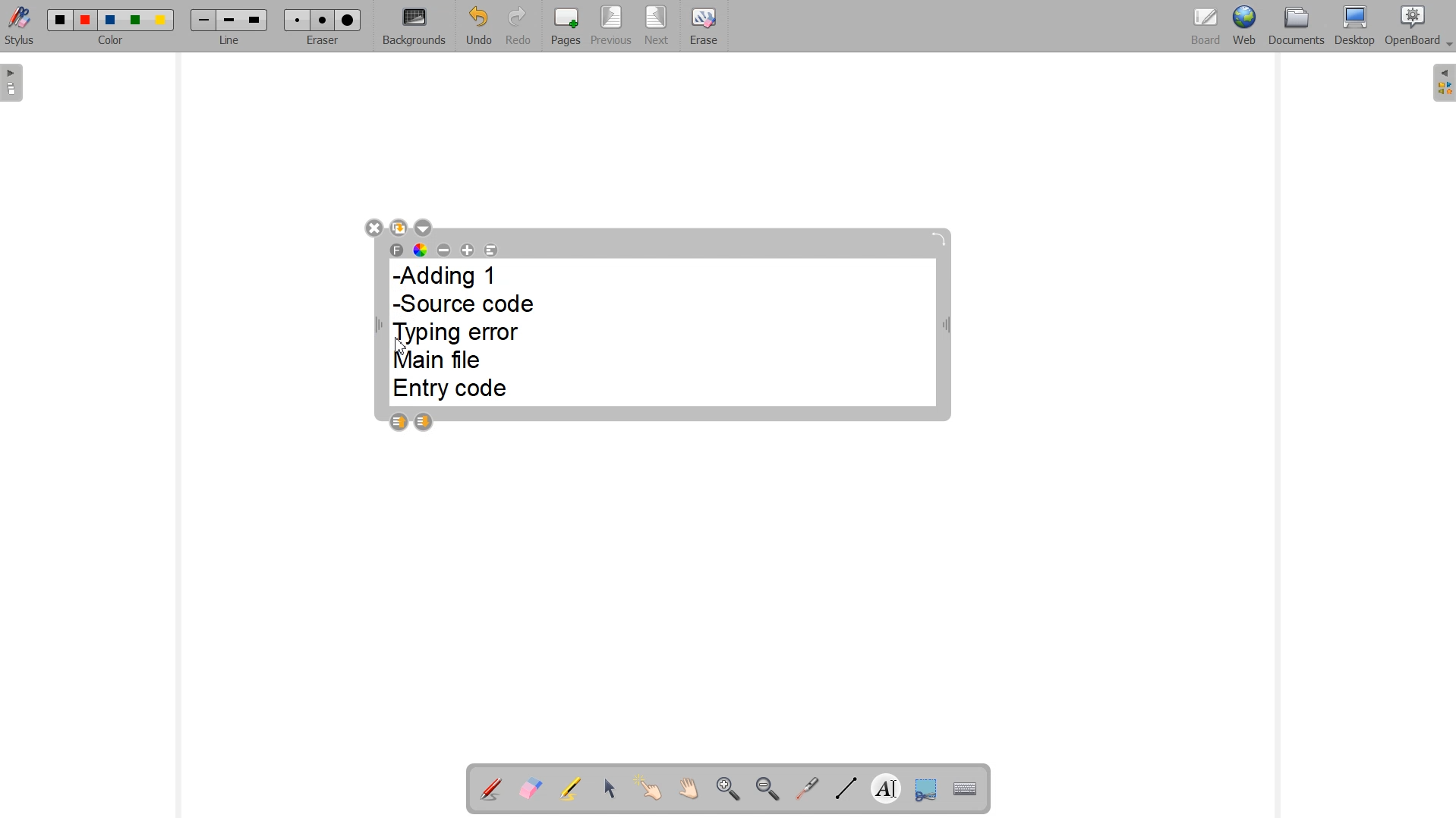  Describe the element at coordinates (398, 422) in the screenshot. I see `Layer up` at that location.